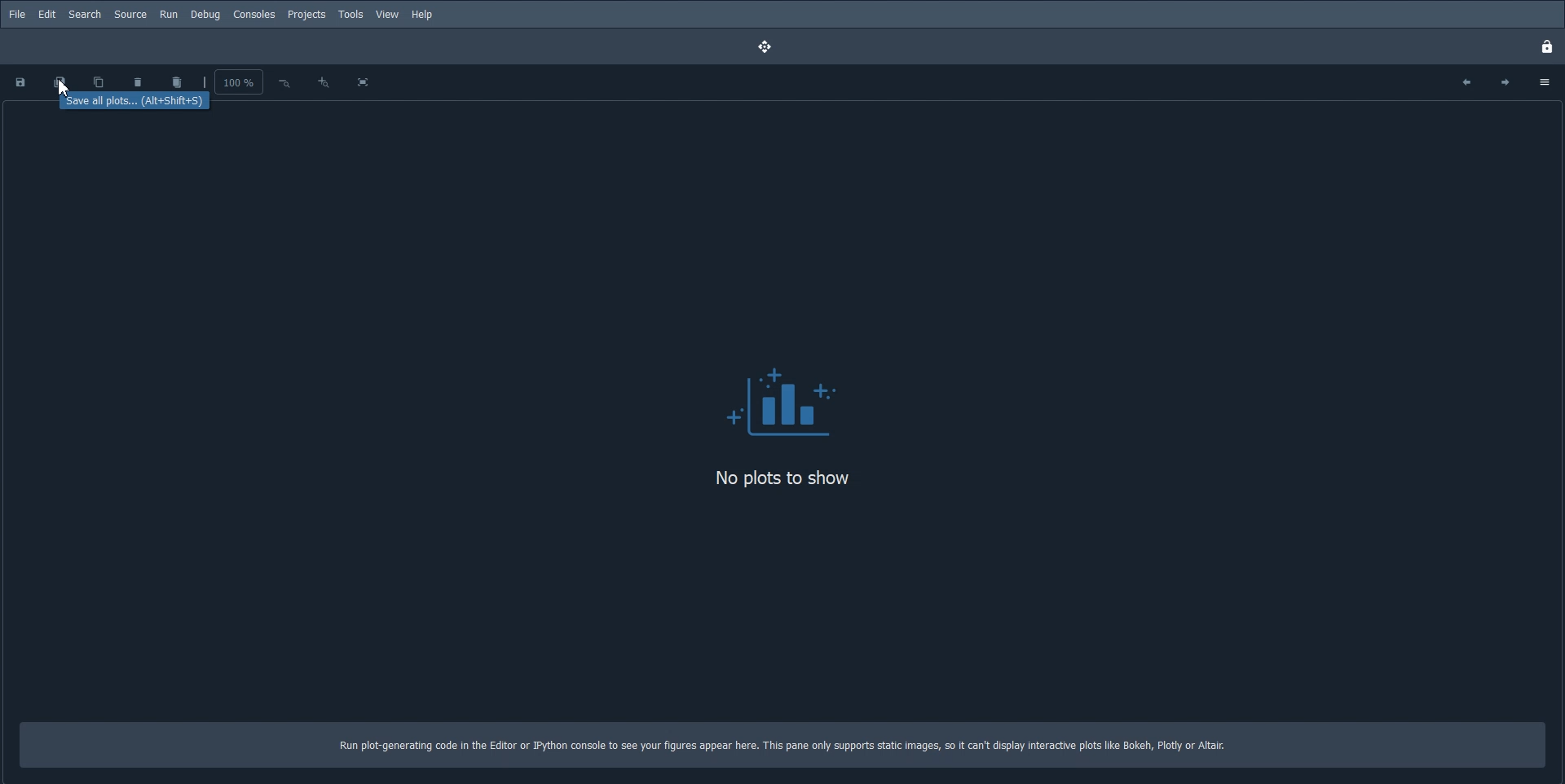 This screenshot has height=784, width=1565. What do you see at coordinates (68, 89) in the screenshot?
I see `Cursor` at bounding box center [68, 89].